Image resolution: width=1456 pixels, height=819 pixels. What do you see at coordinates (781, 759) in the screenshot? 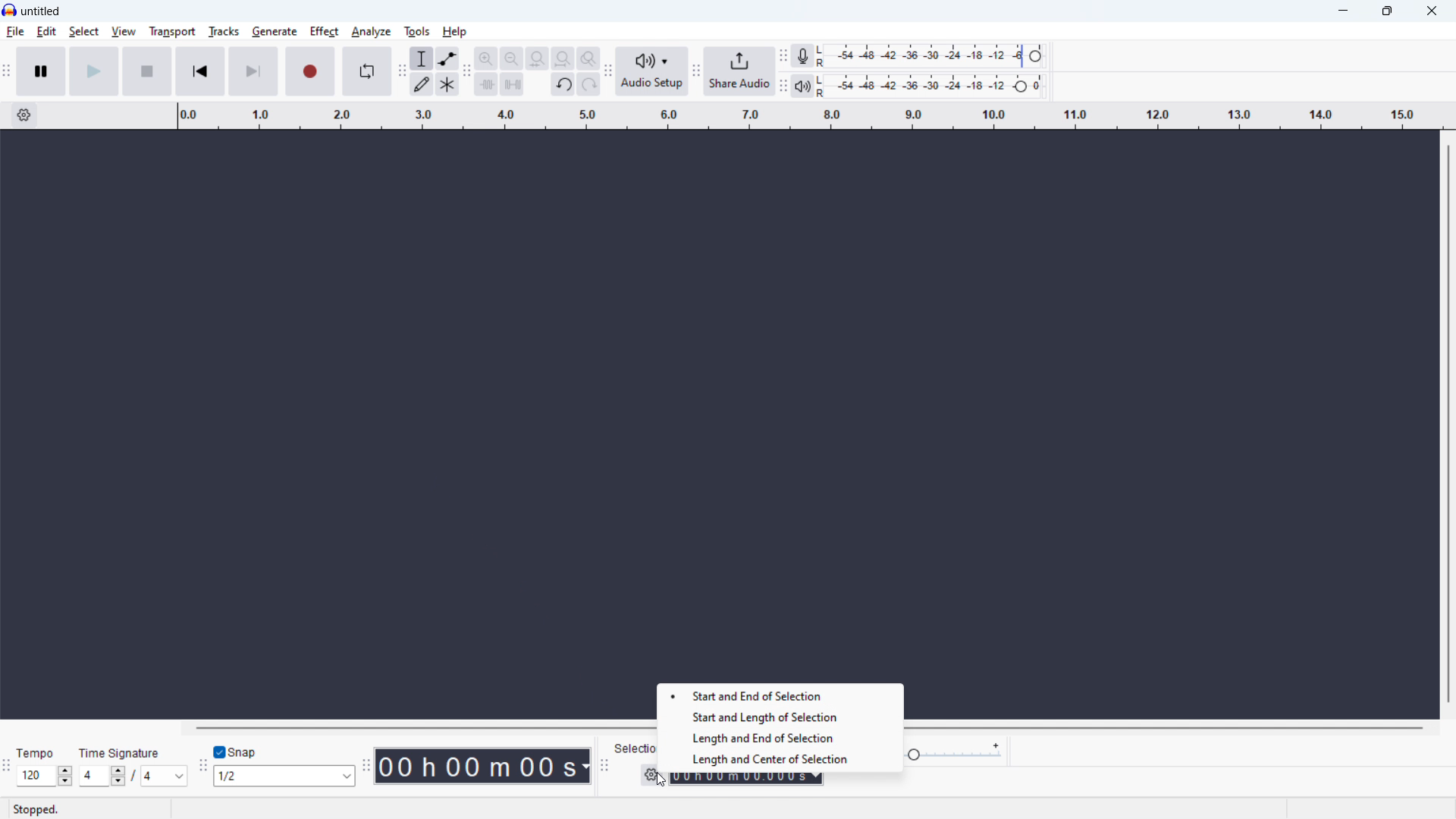
I see `length and center of selection` at bounding box center [781, 759].